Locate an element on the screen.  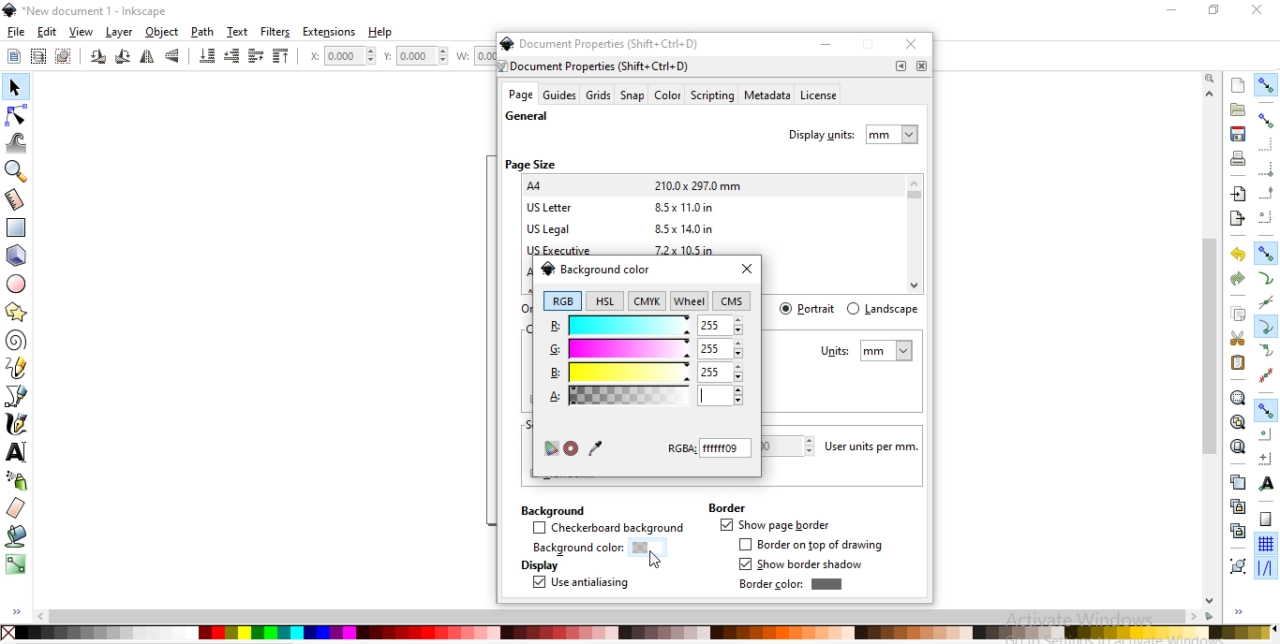
cms is located at coordinates (734, 302).